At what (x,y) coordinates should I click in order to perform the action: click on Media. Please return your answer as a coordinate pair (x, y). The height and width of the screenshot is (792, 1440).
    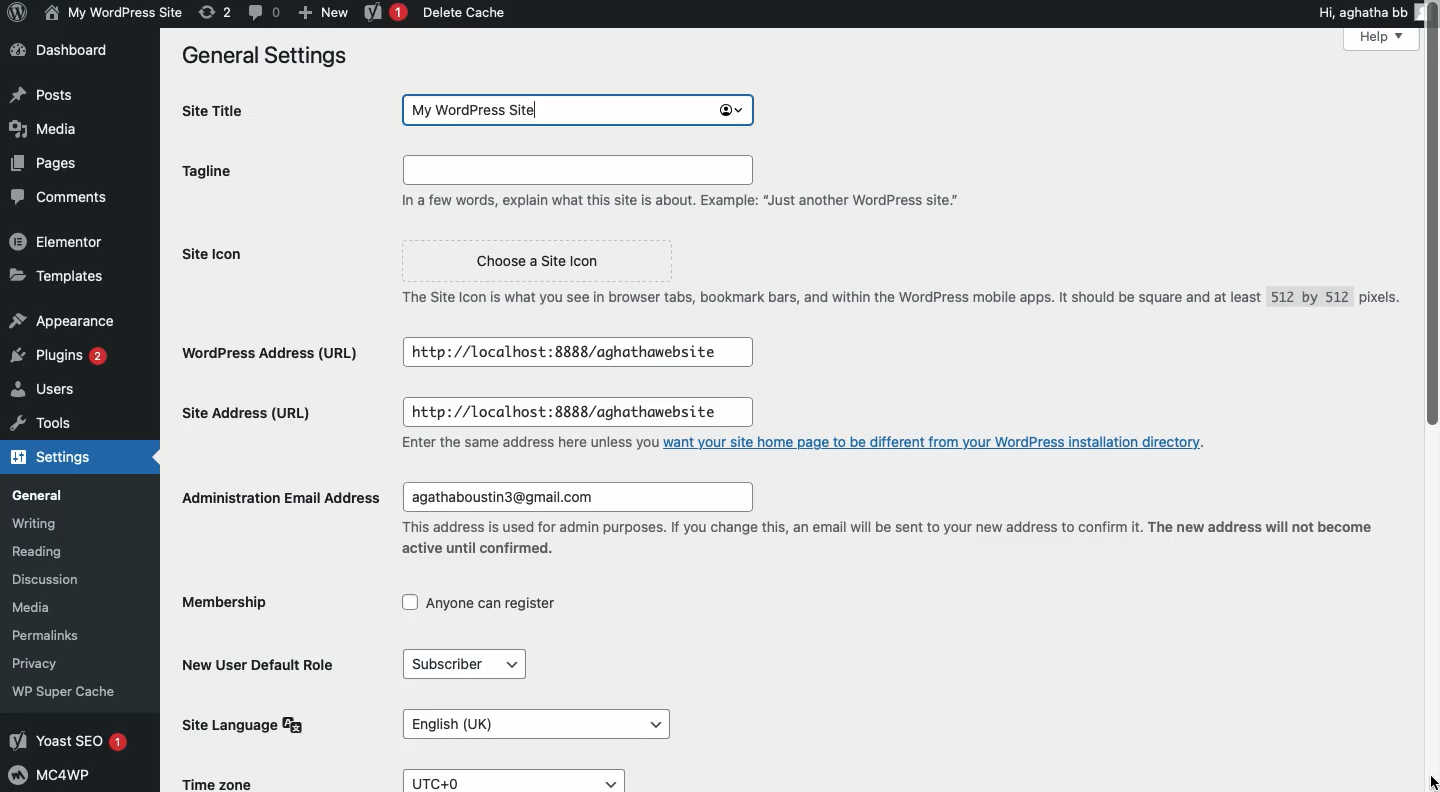
    Looking at the image, I should click on (40, 128).